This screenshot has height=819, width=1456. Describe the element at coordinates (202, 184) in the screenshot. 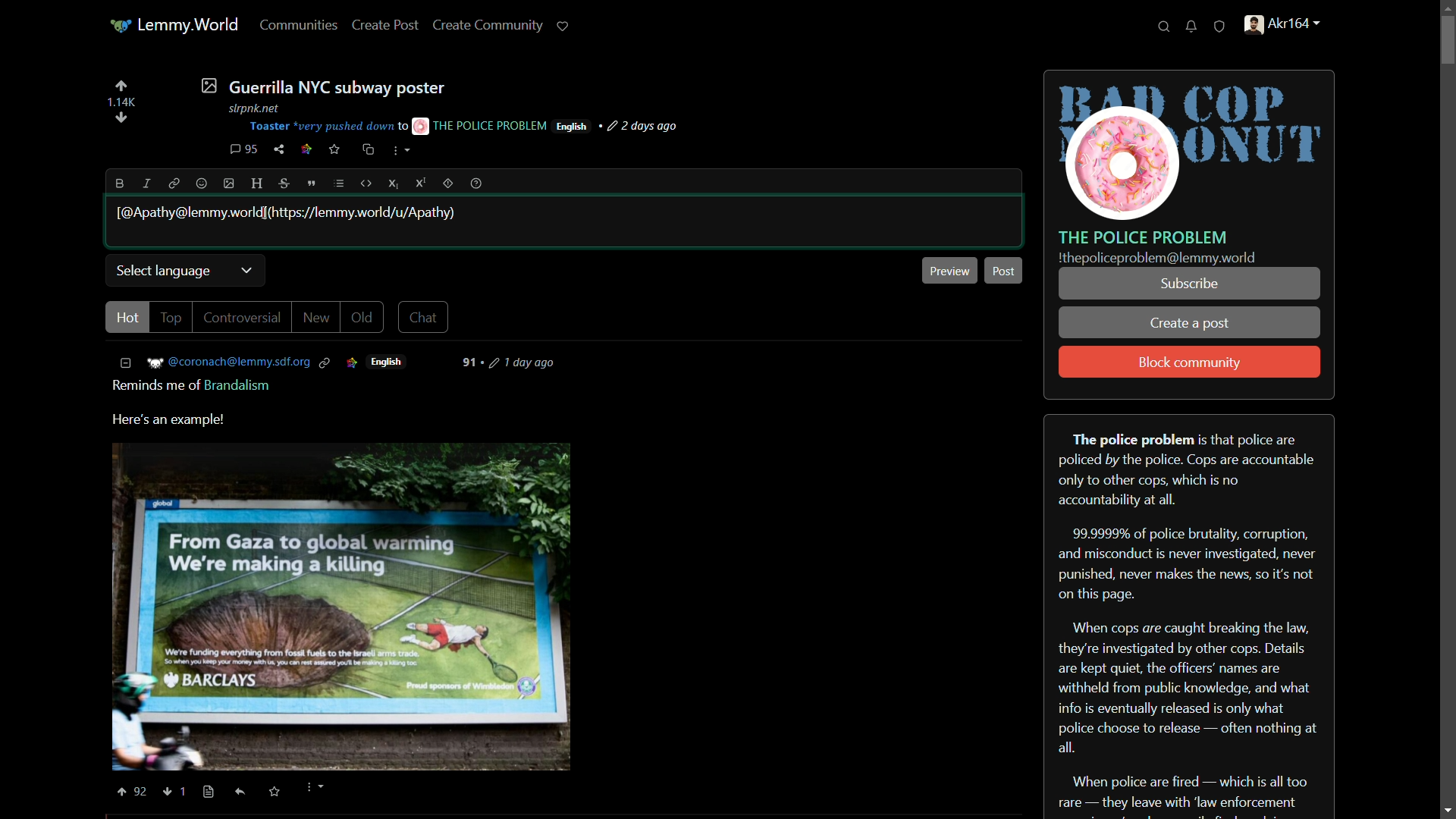

I see `emoji` at that location.